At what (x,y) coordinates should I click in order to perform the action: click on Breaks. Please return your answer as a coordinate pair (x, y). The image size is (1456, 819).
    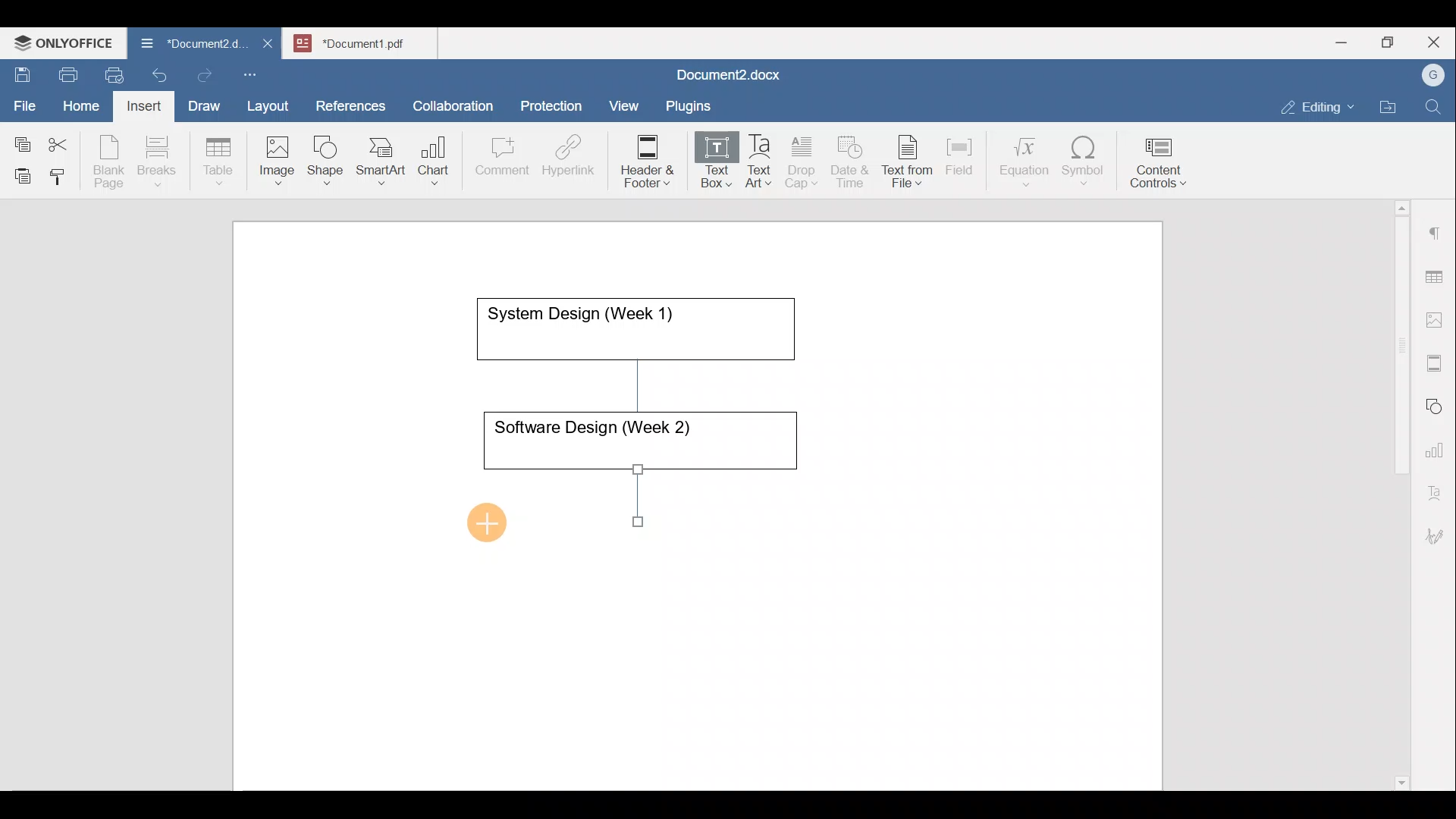
    Looking at the image, I should click on (156, 162).